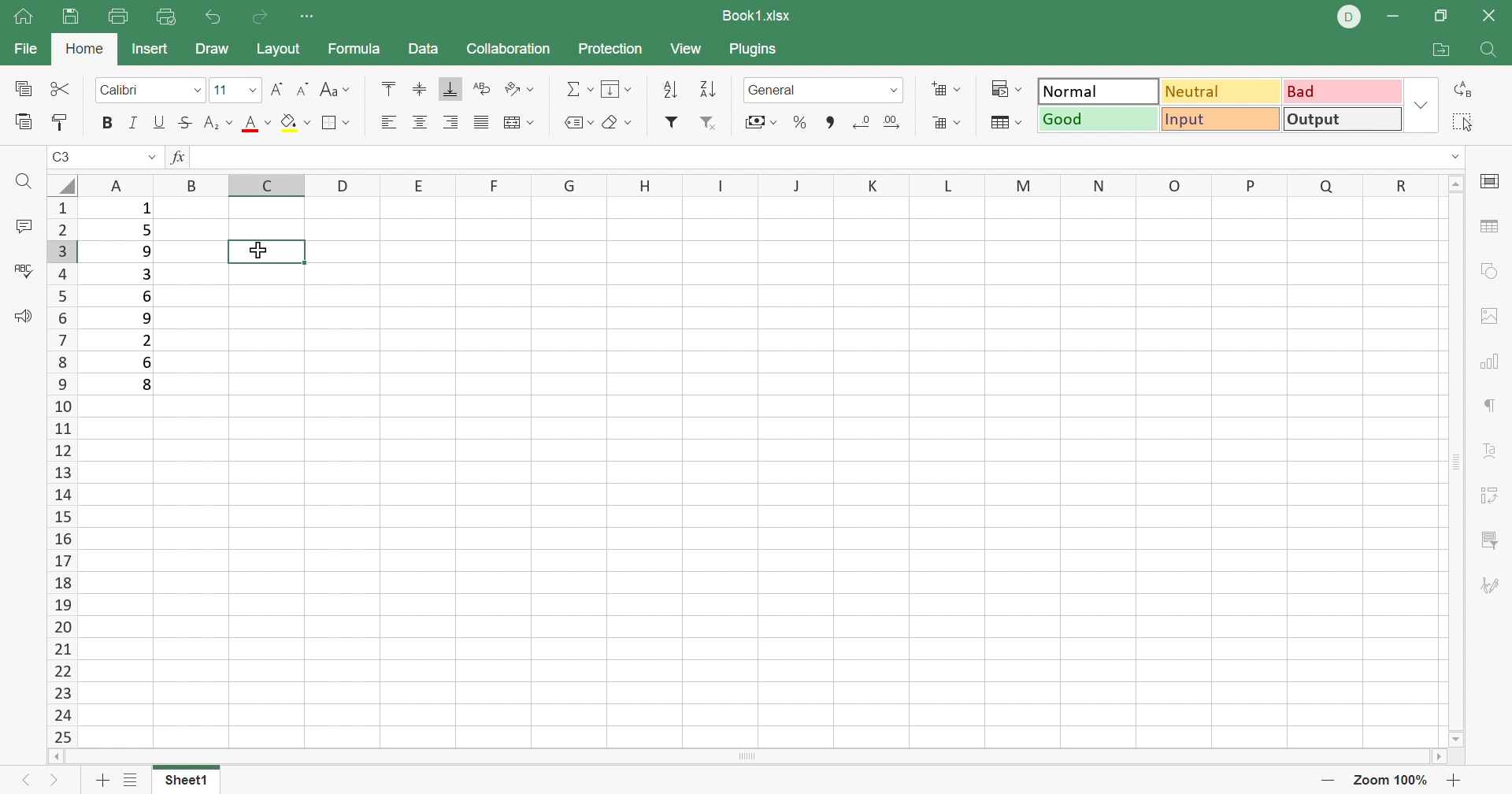  What do you see at coordinates (281, 49) in the screenshot?
I see `Layout` at bounding box center [281, 49].